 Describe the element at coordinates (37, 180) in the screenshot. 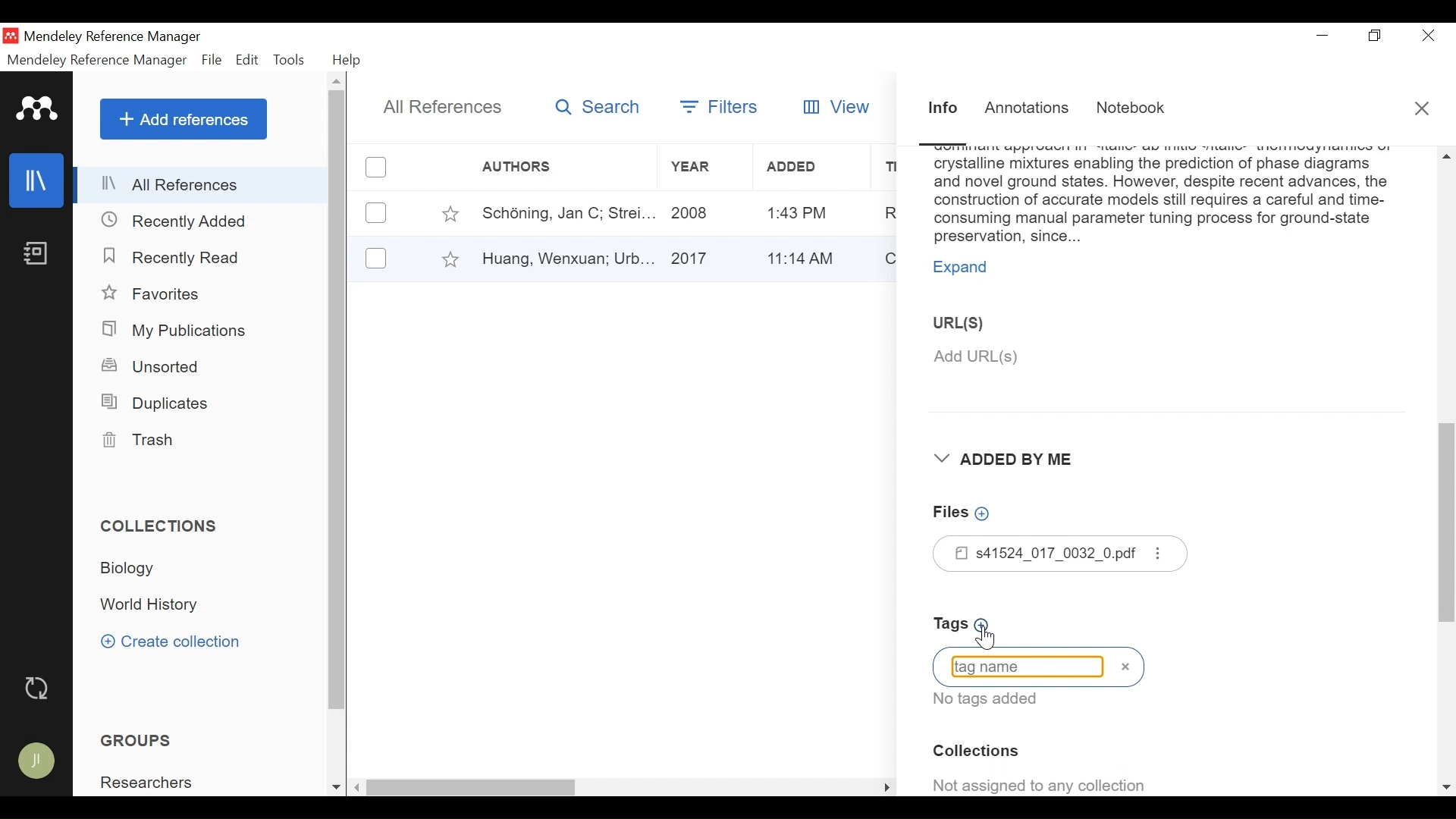

I see `Library` at that location.